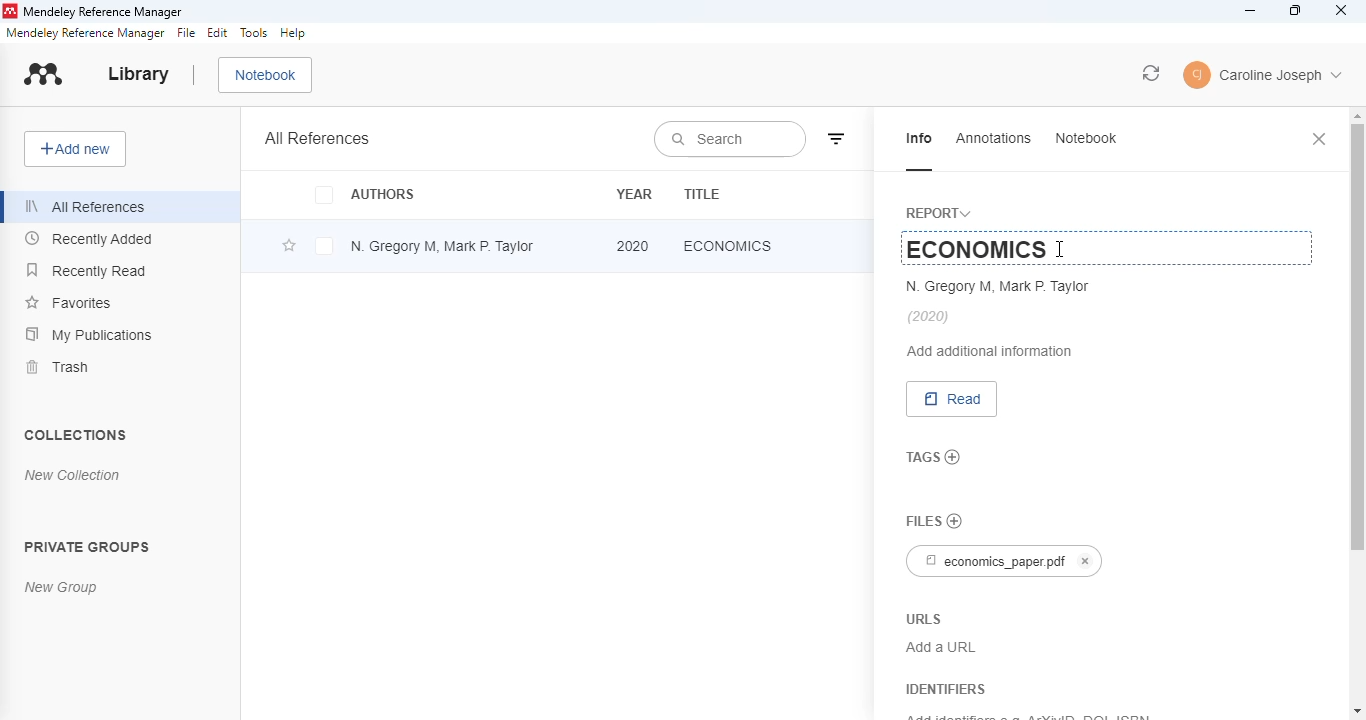 The image size is (1366, 720). Describe the element at coordinates (74, 148) in the screenshot. I see `add new` at that location.